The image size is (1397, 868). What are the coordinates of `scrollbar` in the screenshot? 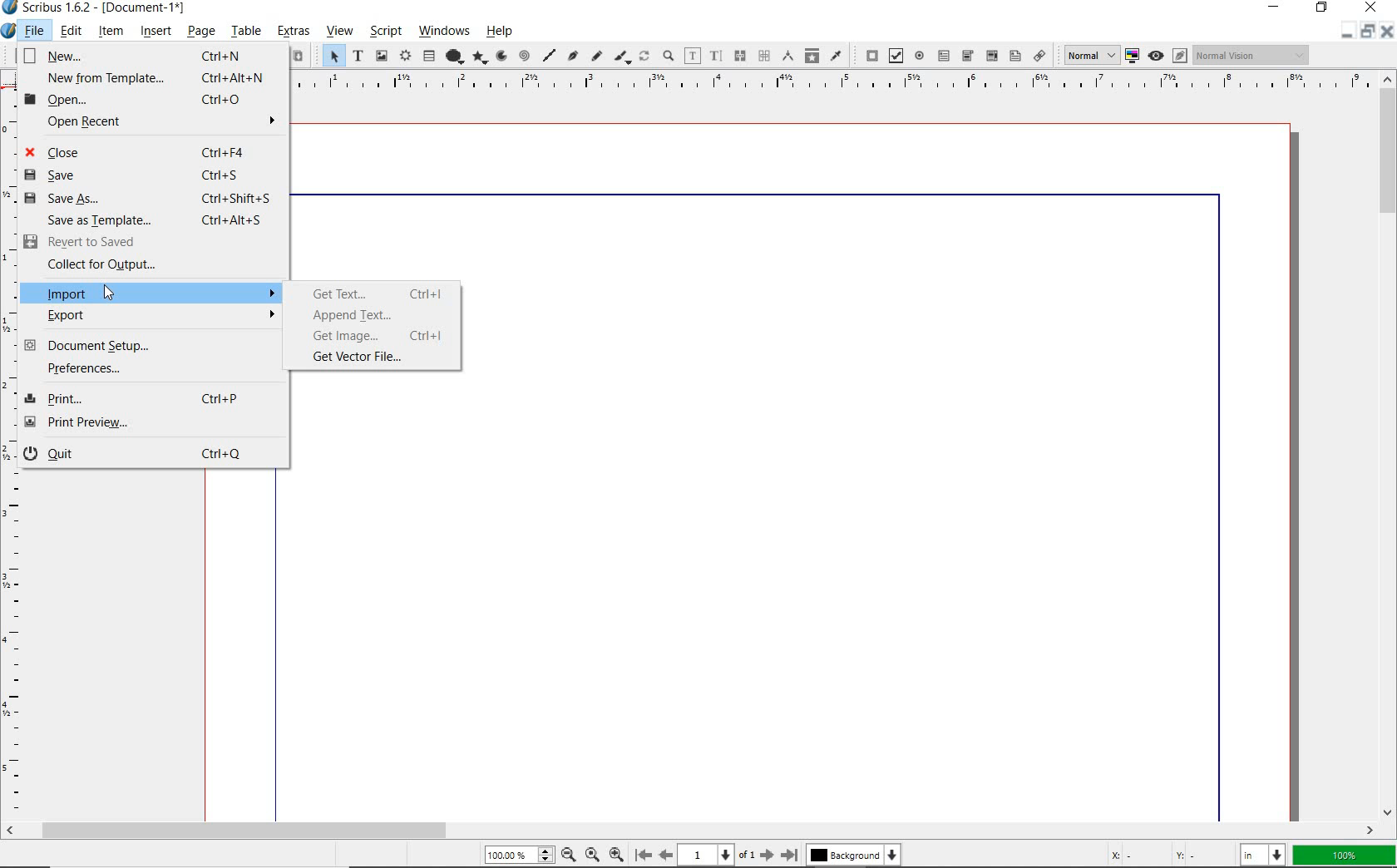 It's located at (1389, 446).